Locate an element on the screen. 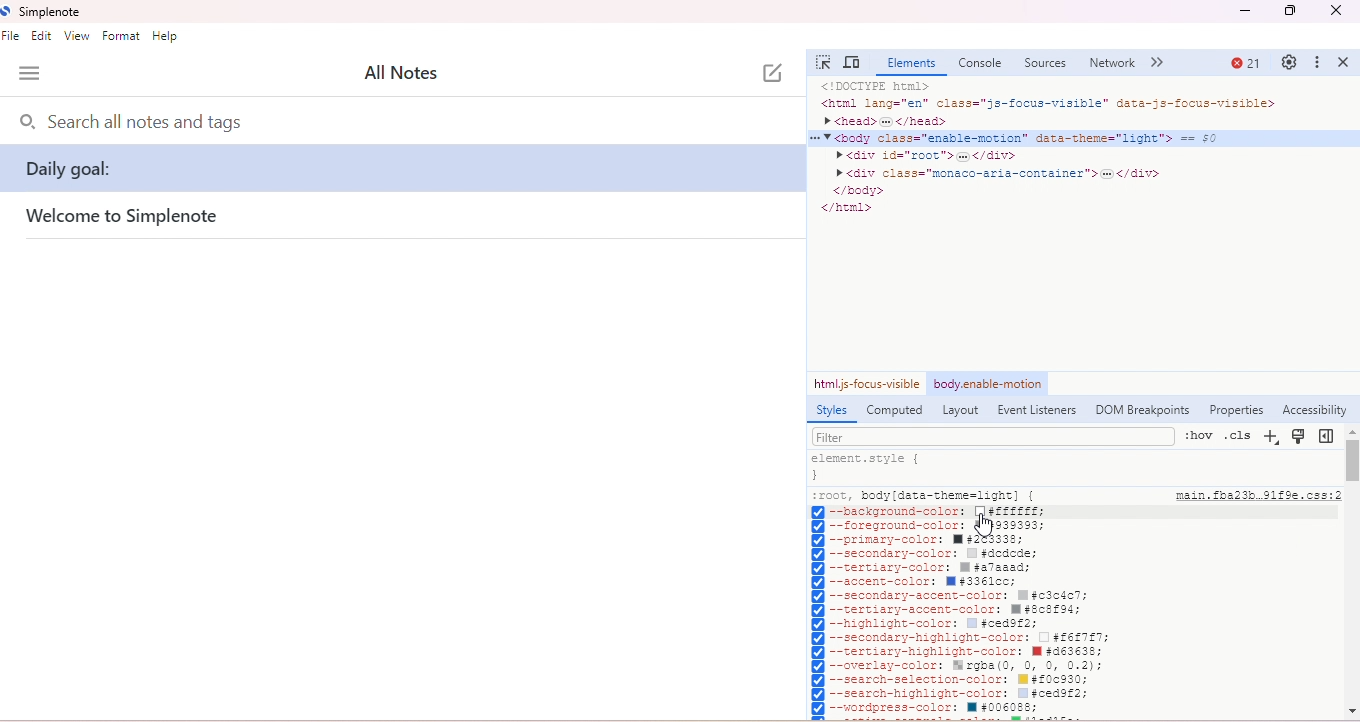 The height and width of the screenshot is (722, 1360). edit is located at coordinates (44, 37).